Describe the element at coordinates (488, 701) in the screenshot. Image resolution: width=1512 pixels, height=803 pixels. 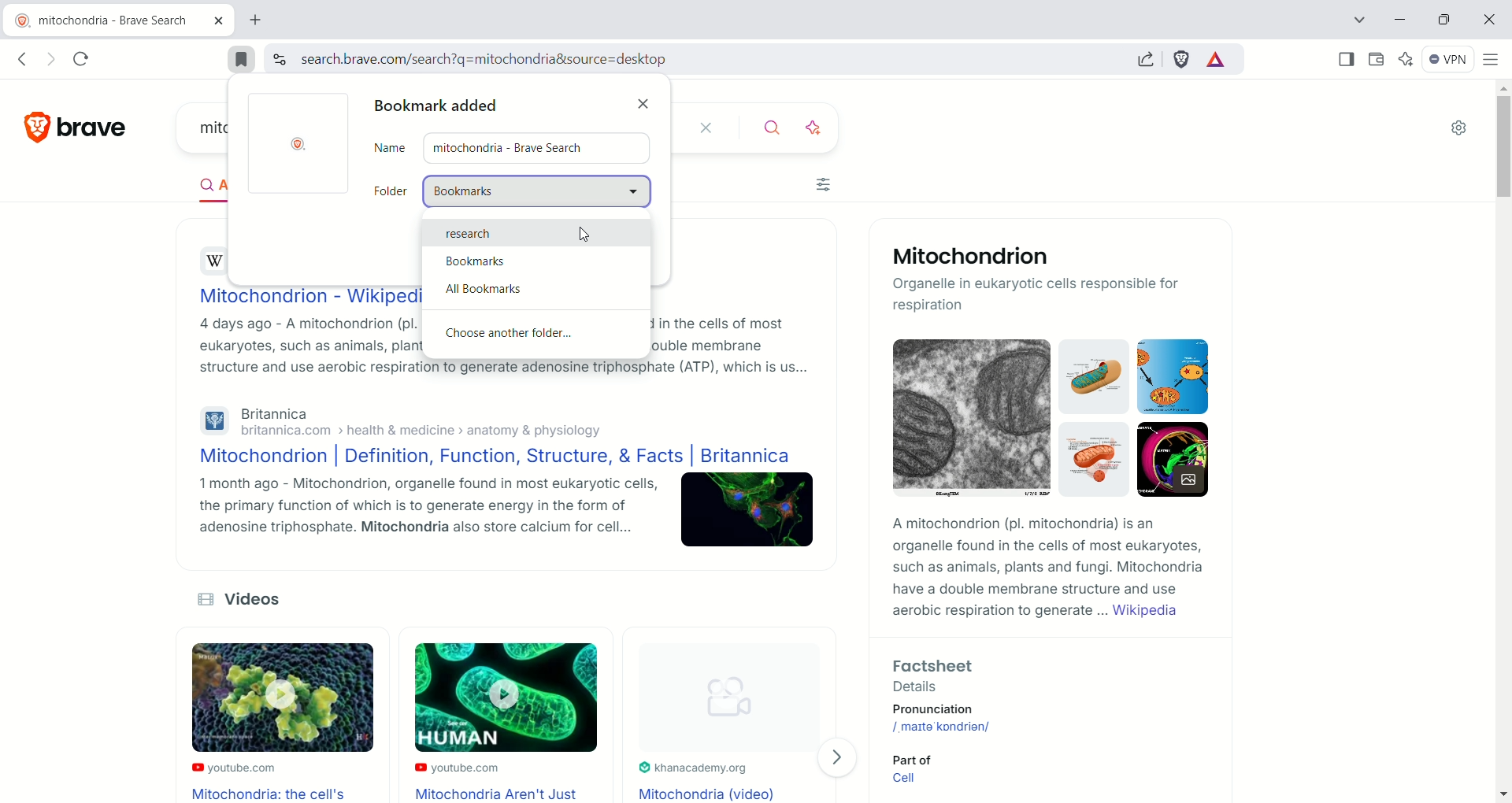
I see `Video Thumbnails` at that location.